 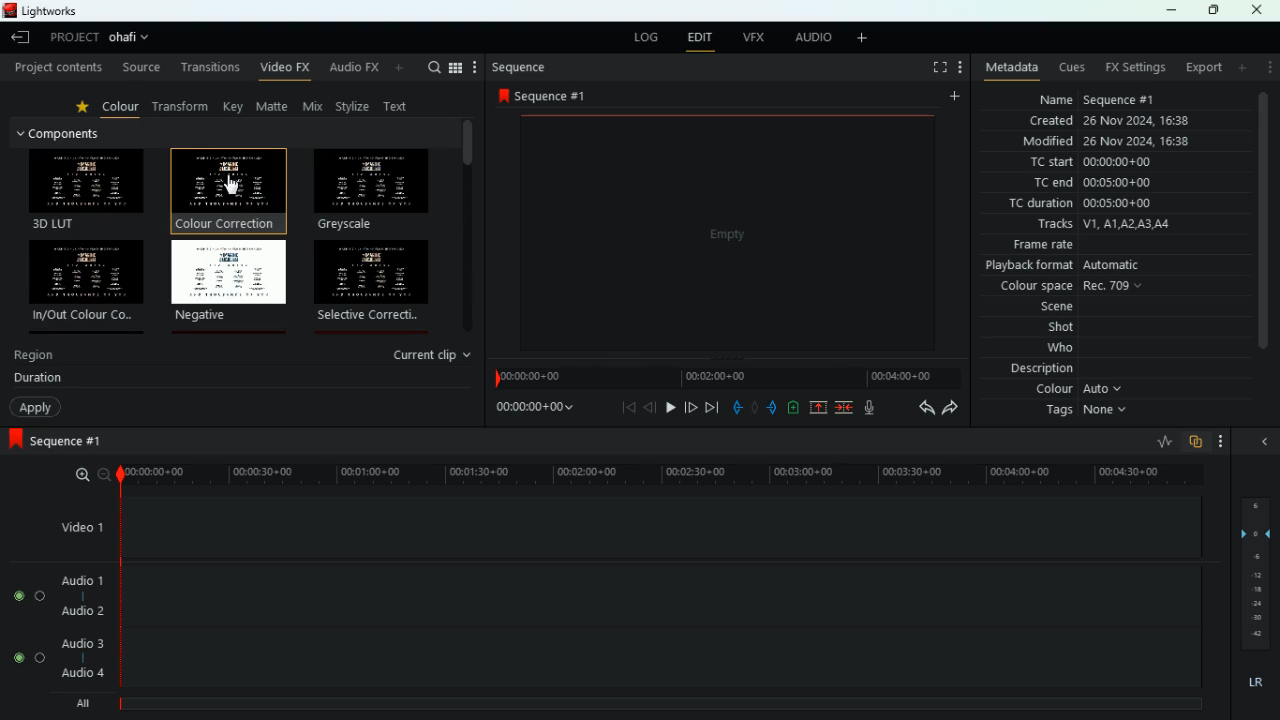 I want to click on forward, so click(x=950, y=409).